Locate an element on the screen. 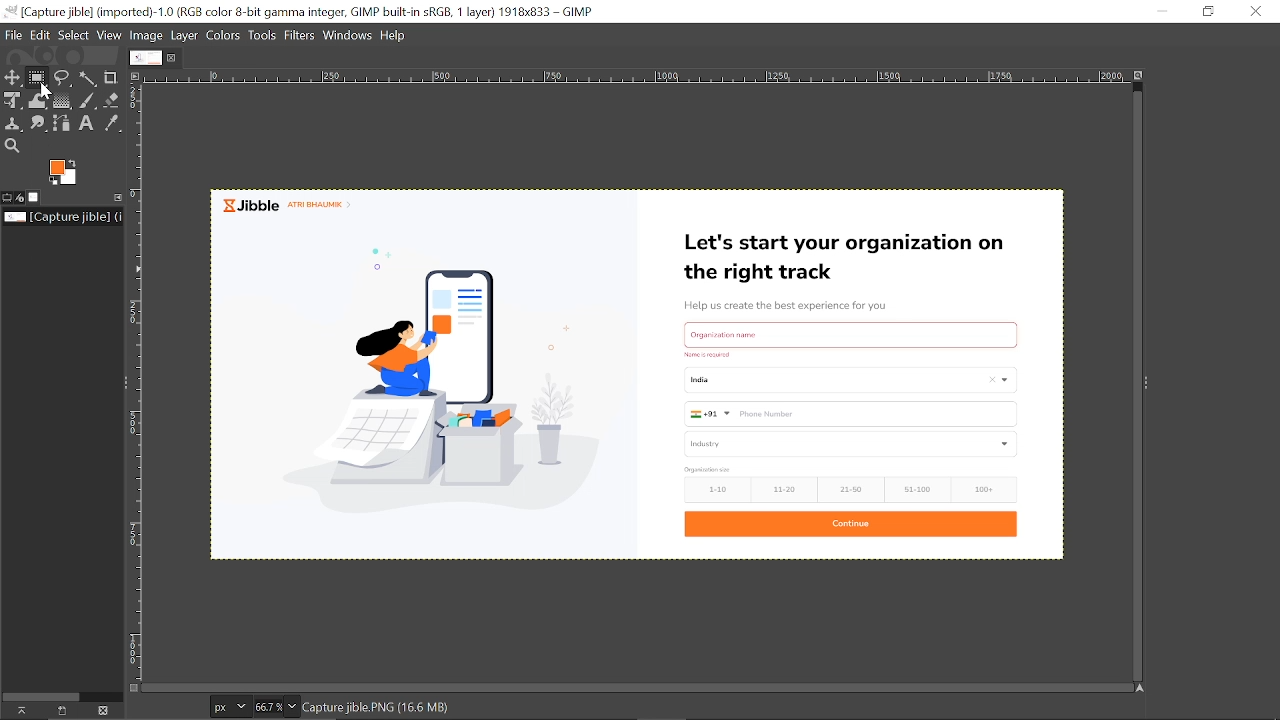 The height and width of the screenshot is (720, 1280). Free select tool is located at coordinates (64, 78).